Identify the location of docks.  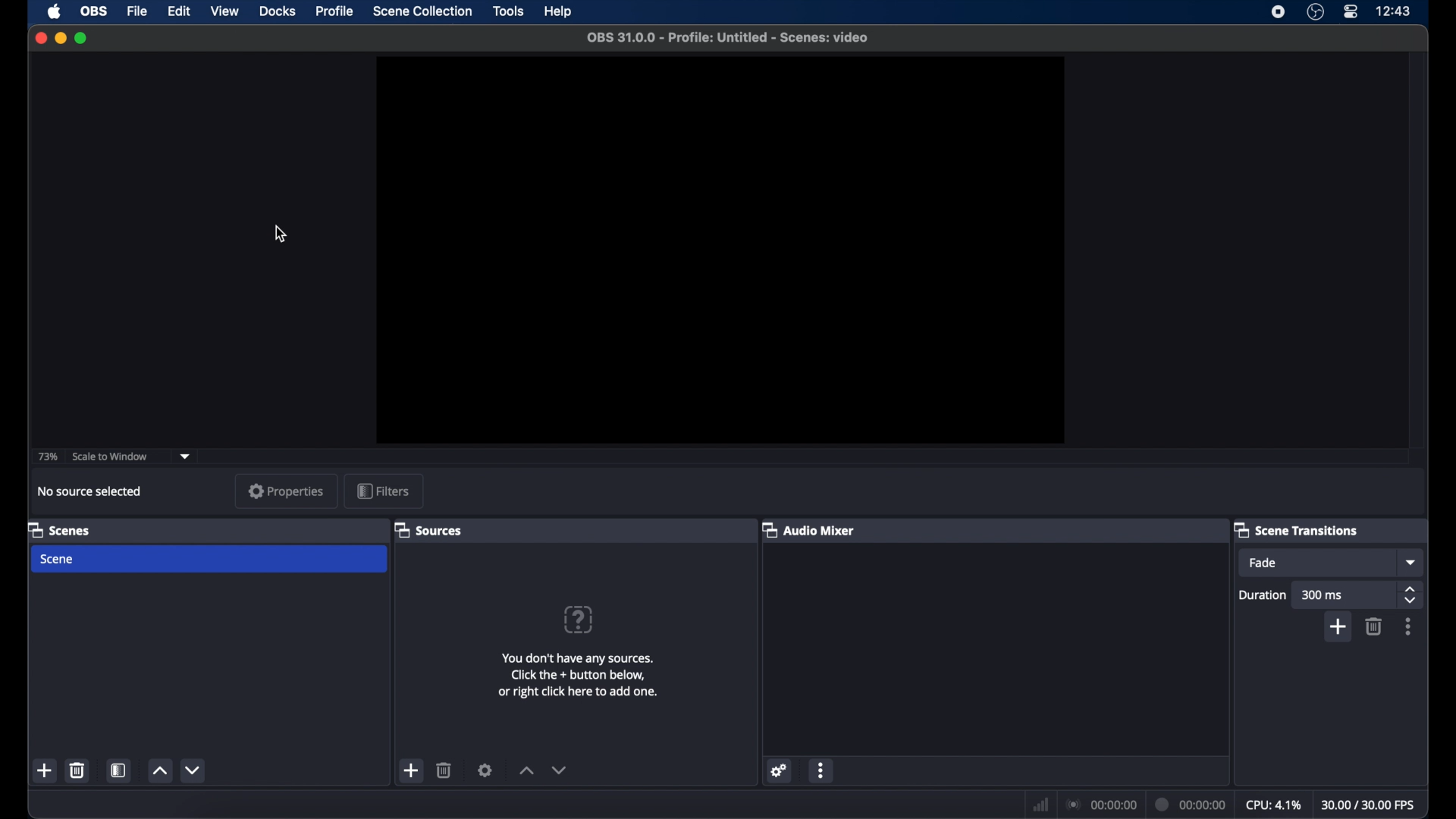
(278, 11).